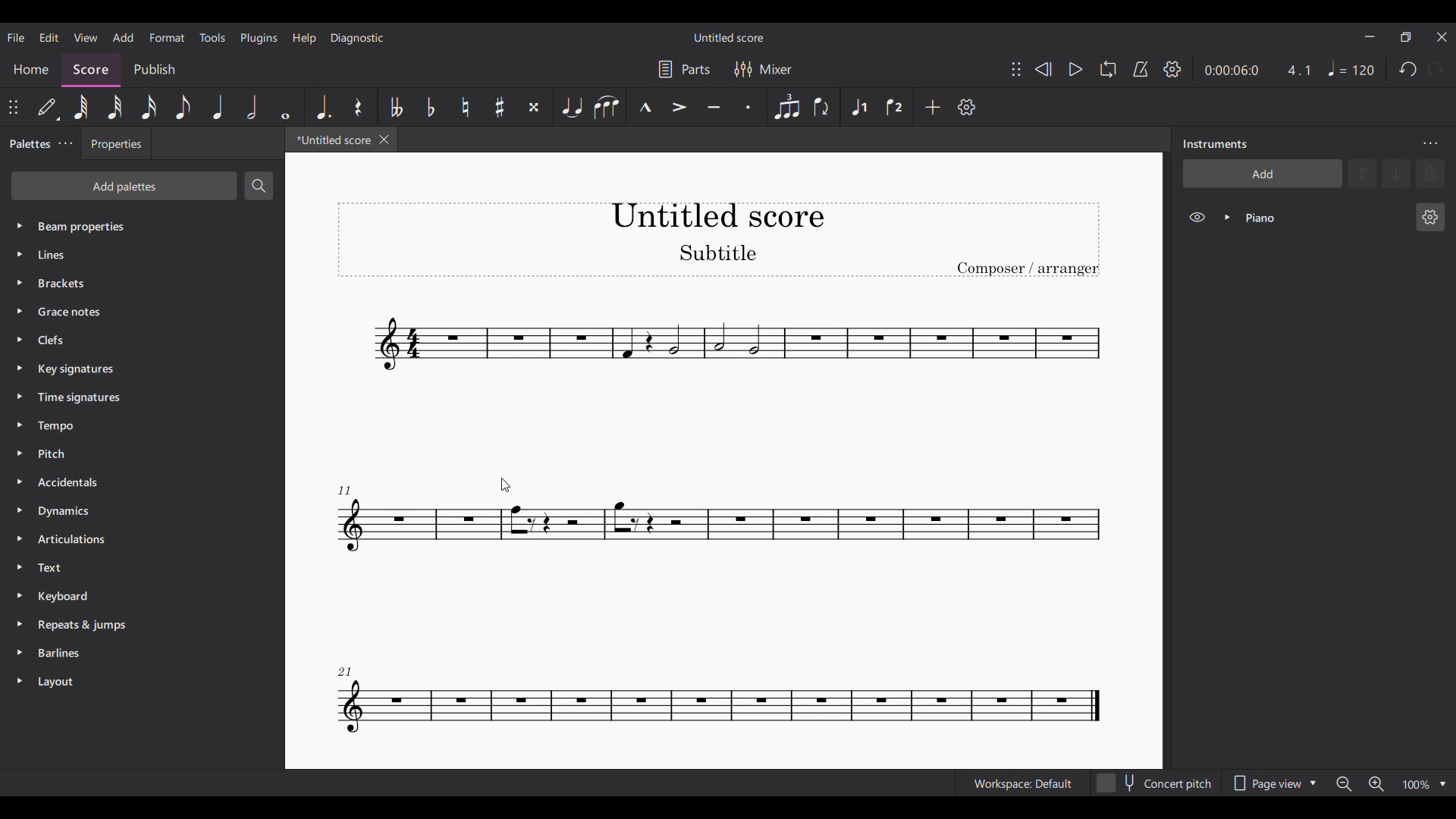 This screenshot has height=819, width=1456. What do you see at coordinates (679, 108) in the screenshot?
I see `Accent` at bounding box center [679, 108].